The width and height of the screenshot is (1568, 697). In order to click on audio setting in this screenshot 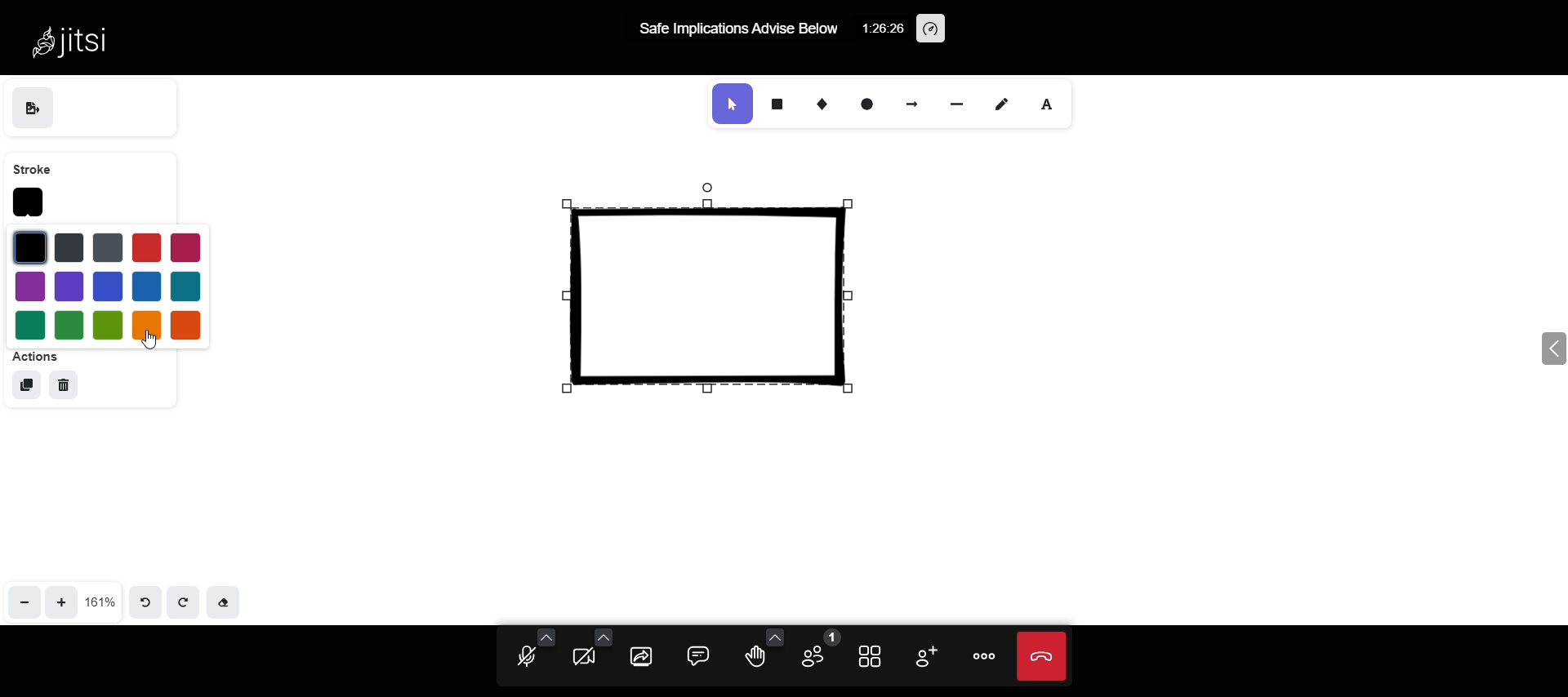, I will do `click(544, 635)`.